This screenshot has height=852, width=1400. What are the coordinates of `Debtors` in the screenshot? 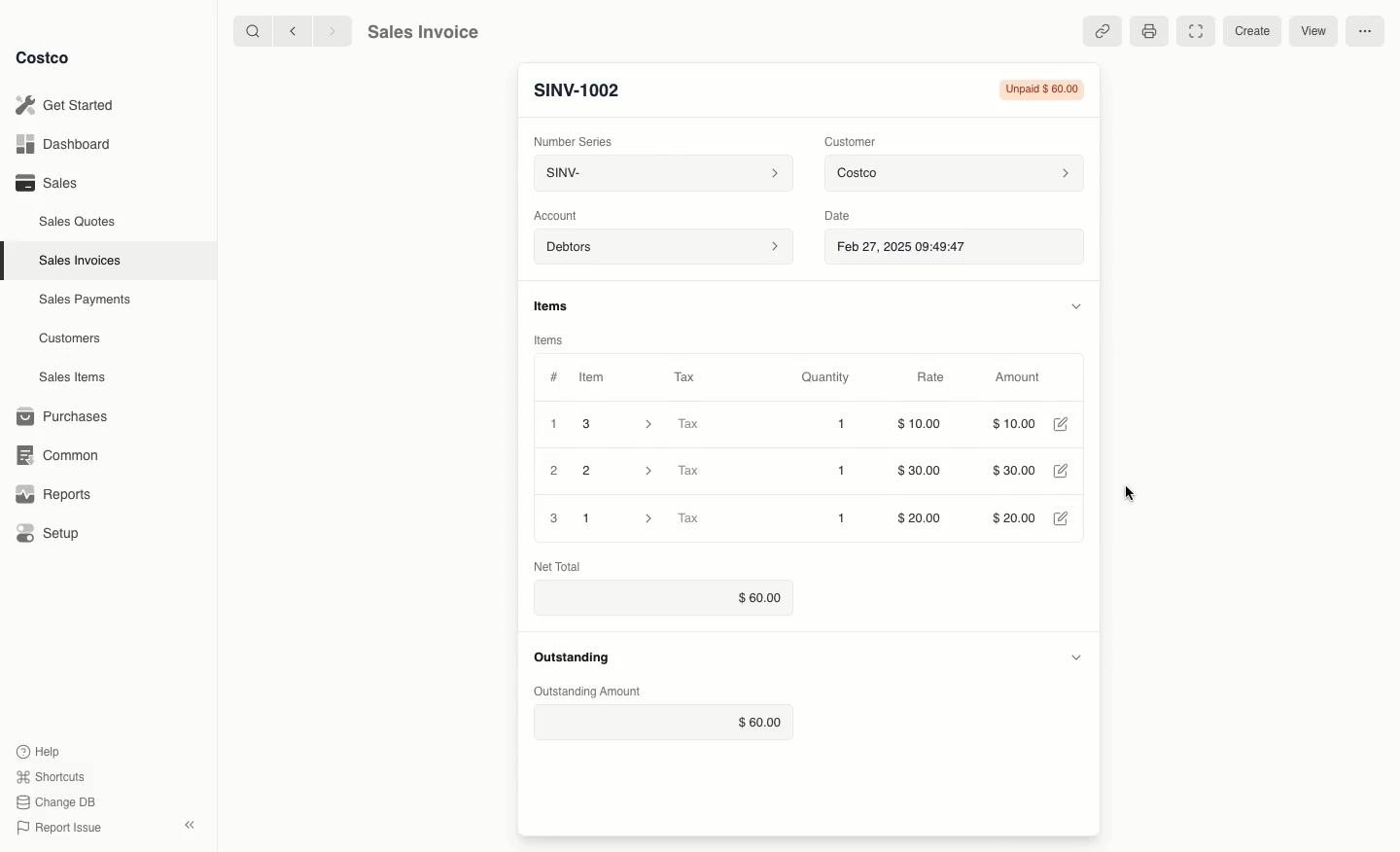 It's located at (662, 248).